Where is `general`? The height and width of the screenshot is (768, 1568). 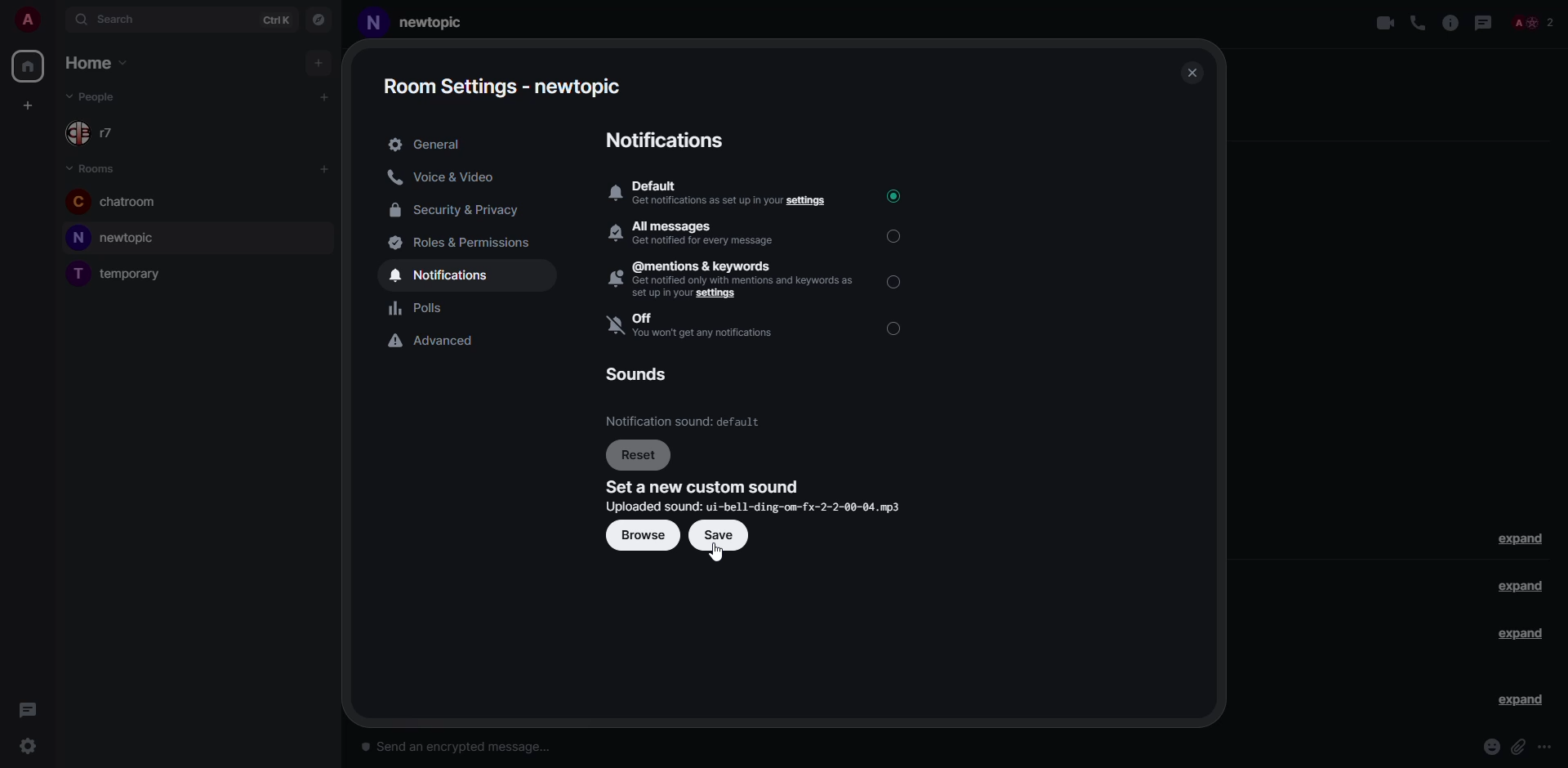
general is located at coordinates (429, 145).